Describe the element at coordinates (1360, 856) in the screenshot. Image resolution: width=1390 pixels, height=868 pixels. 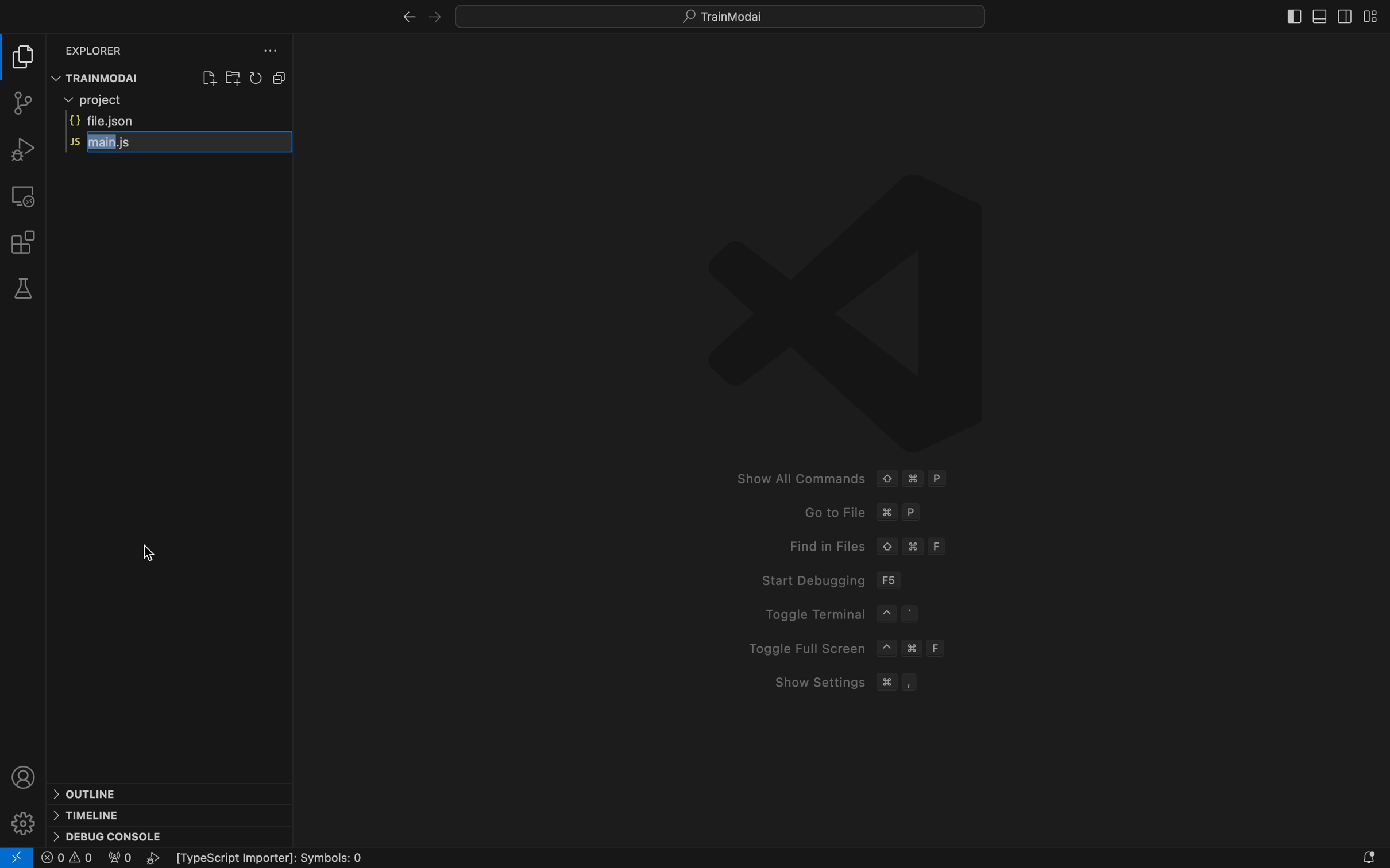
I see `notification` at that location.